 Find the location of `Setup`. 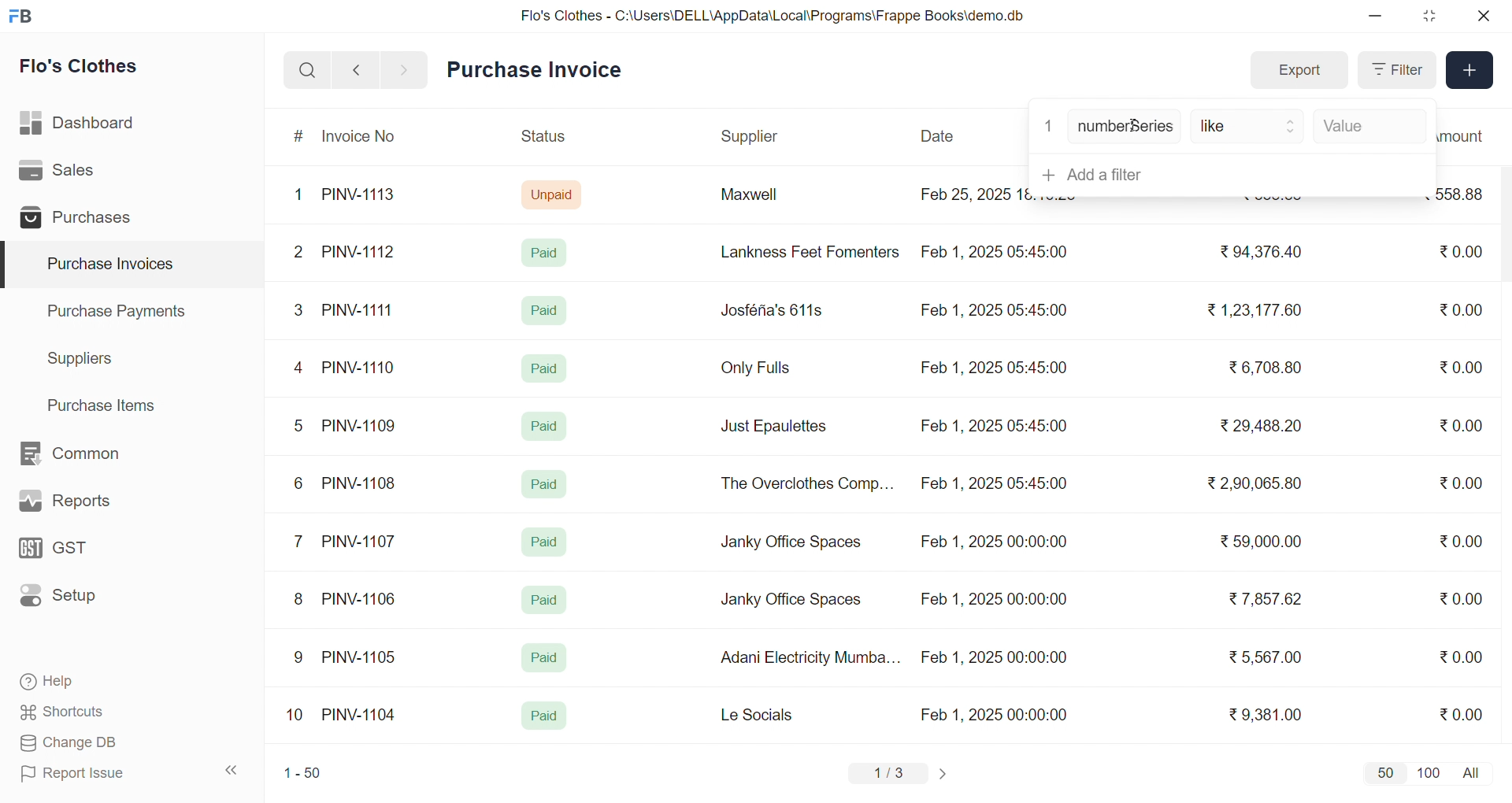

Setup is located at coordinates (82, 601).